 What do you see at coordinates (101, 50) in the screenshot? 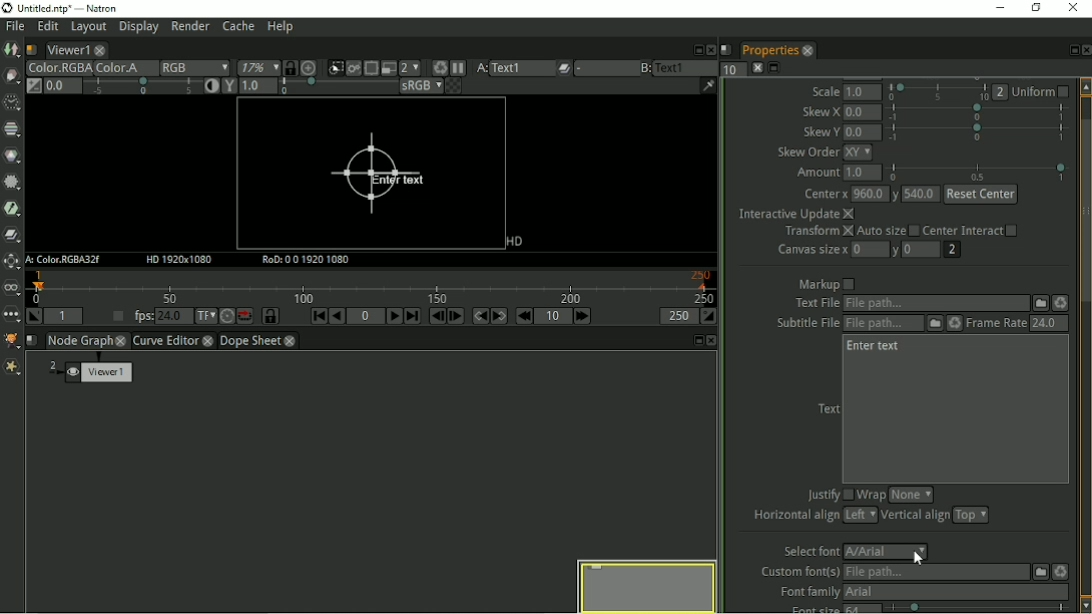
I see `close` at bounding box center [101, 50].